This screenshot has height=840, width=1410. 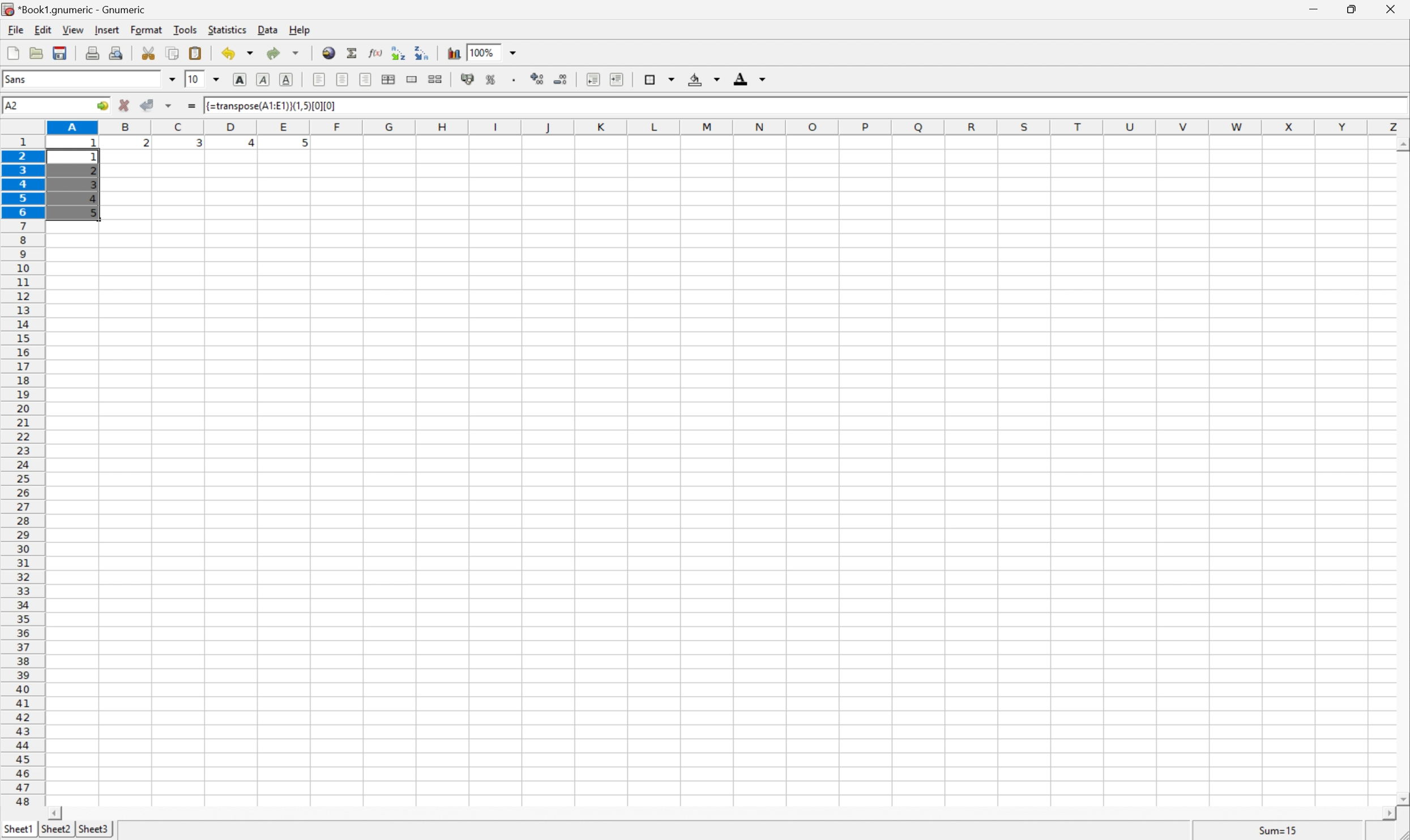 I want to click on new, so click(x=14, y=52).